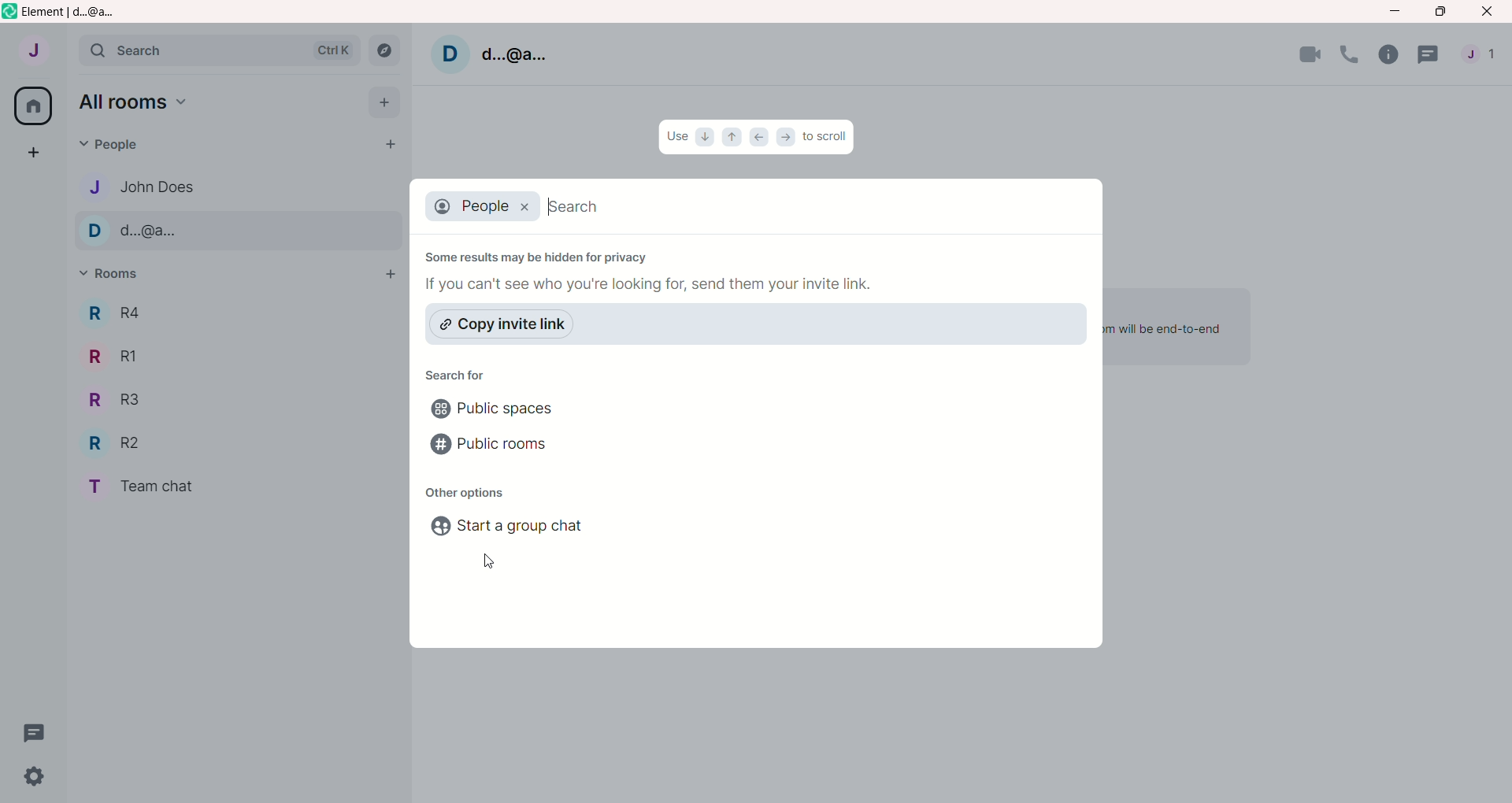 This screenshot has height=803, width=1512. What do you see at coordinates (732, 138) in the screenshot?
I see `up arrow icon` at bounding box center [732, 138].